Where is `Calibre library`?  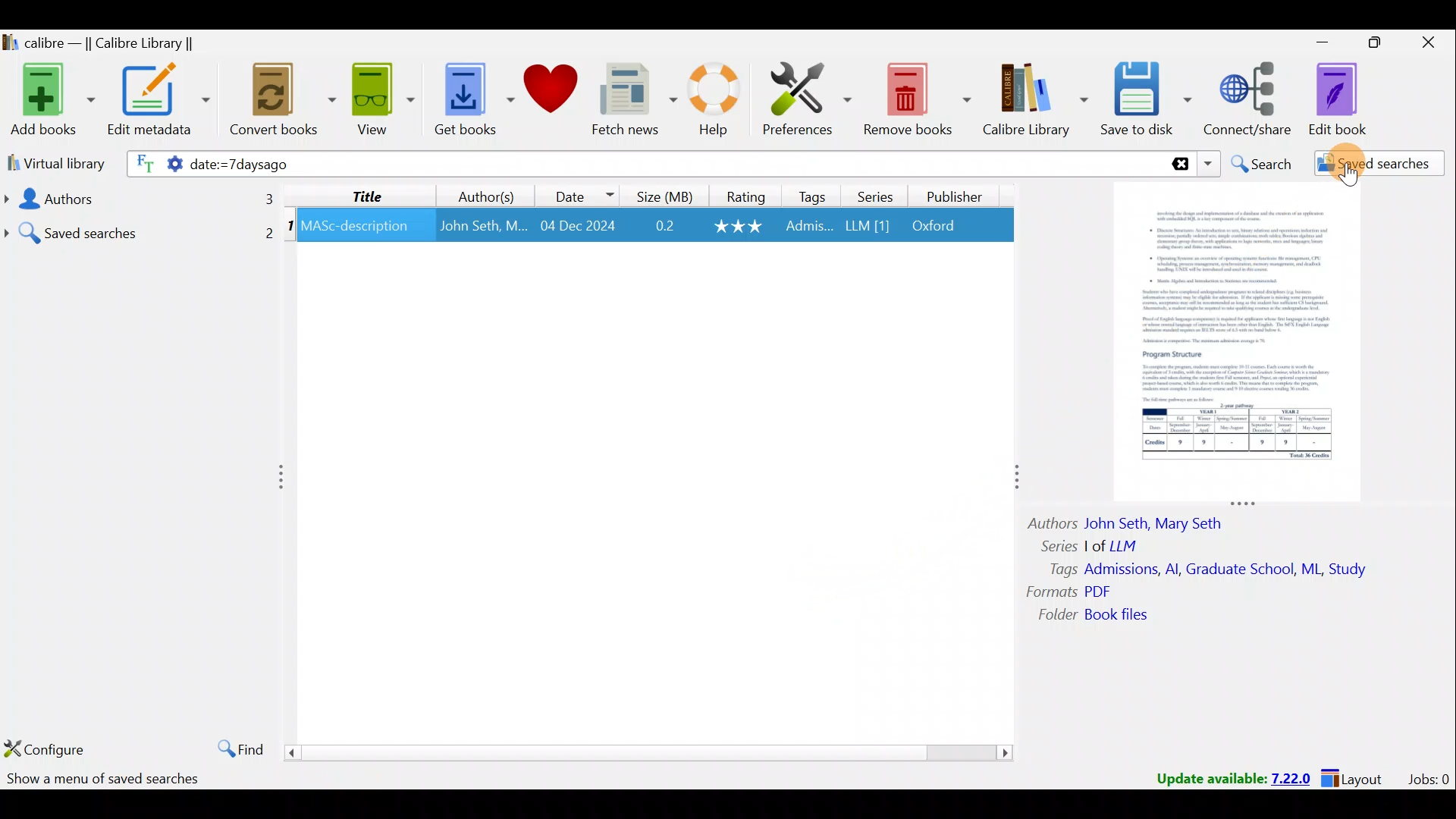 Calibre library is located at coordinates (1037, 101).